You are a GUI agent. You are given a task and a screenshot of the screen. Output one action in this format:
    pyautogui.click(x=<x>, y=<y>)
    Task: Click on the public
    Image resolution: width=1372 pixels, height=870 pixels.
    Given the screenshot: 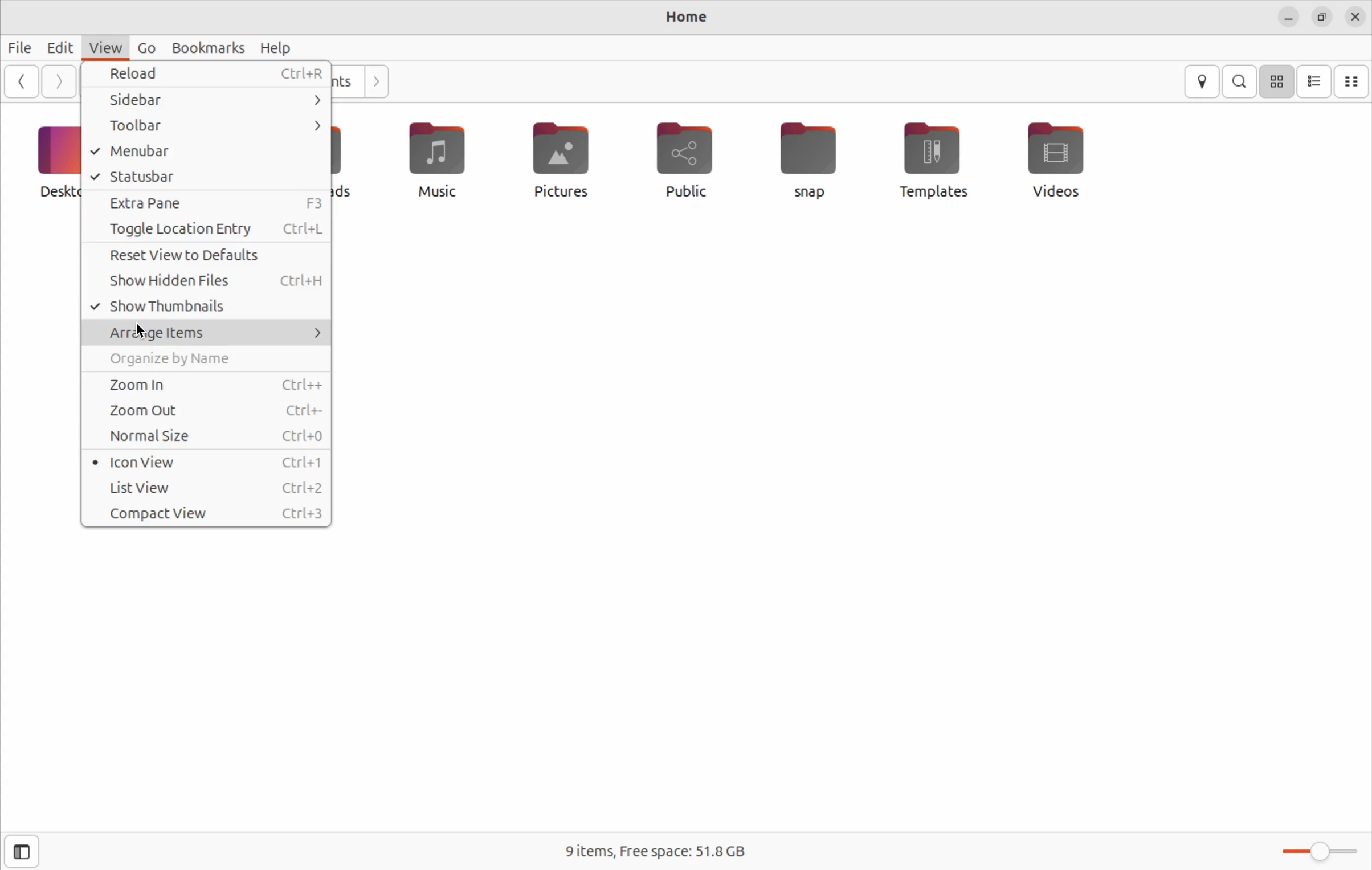 What is the action you would take?
    pyautogui.click(x=681, y=158)
    